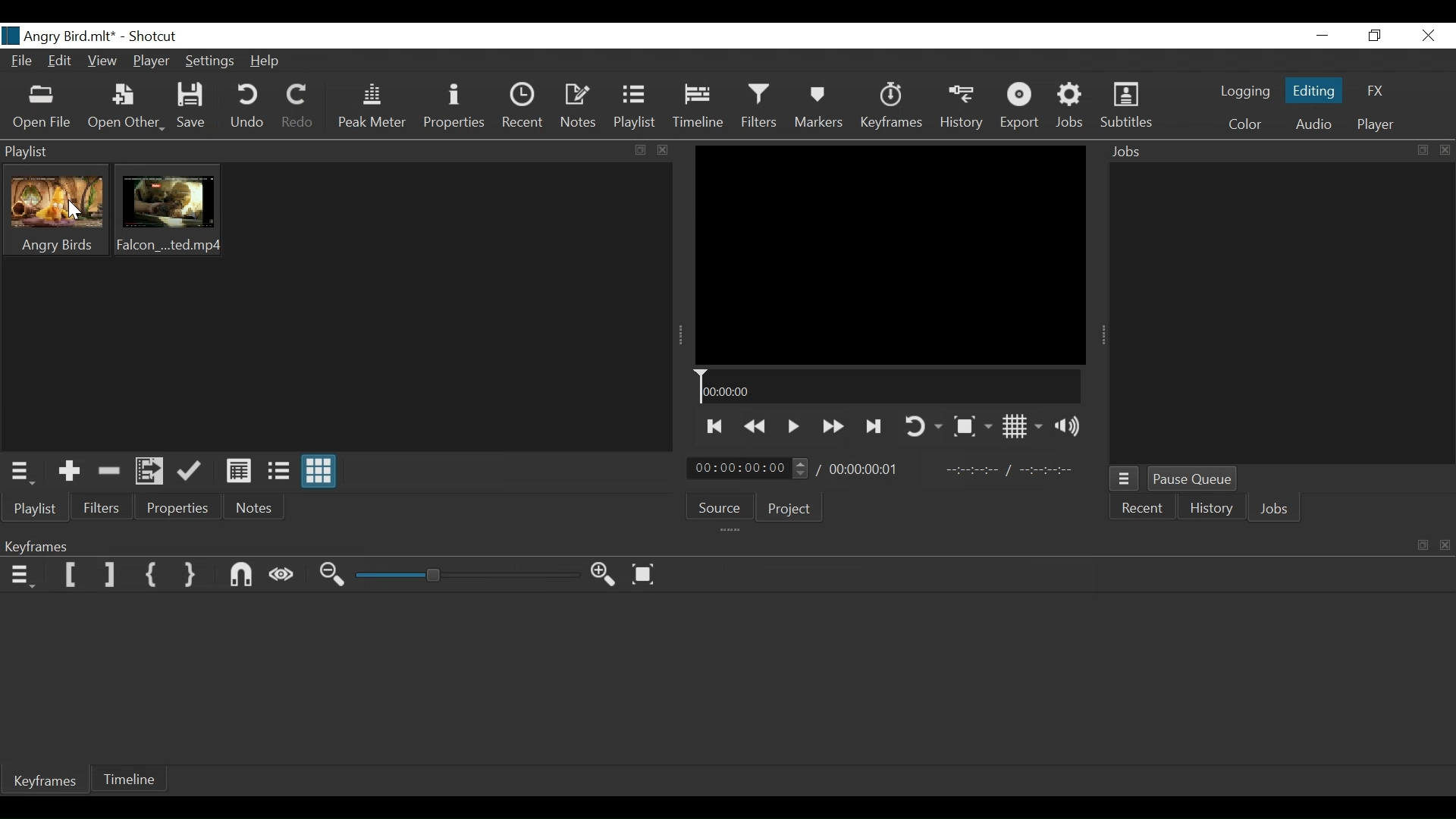  I want to click on Toggle zoom, so click(974, 425).